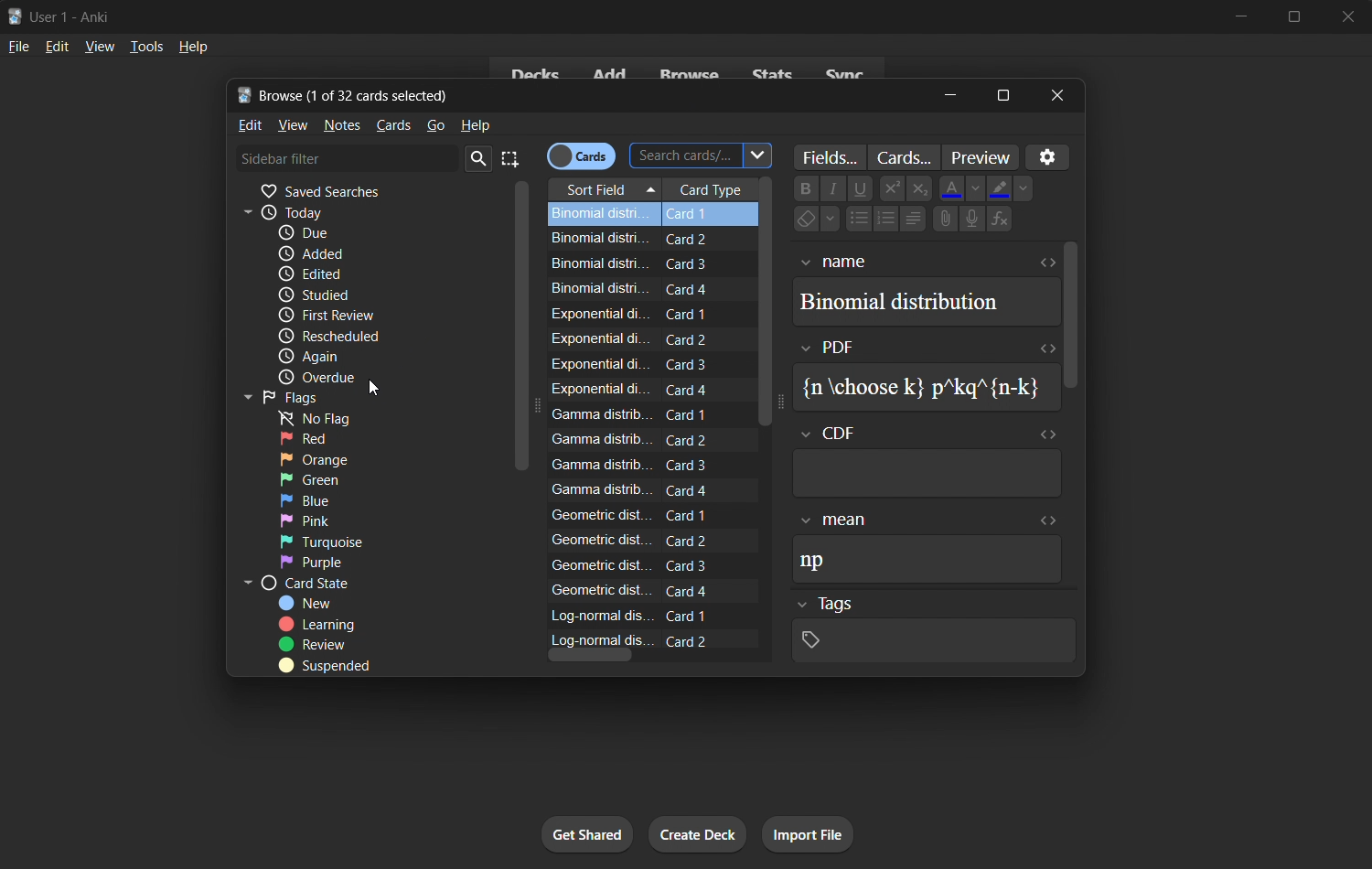 This screenshot has width=1372, height=869. Describe the element at coordinates (338, 458) in the screenshot. I see `orange` at that location.